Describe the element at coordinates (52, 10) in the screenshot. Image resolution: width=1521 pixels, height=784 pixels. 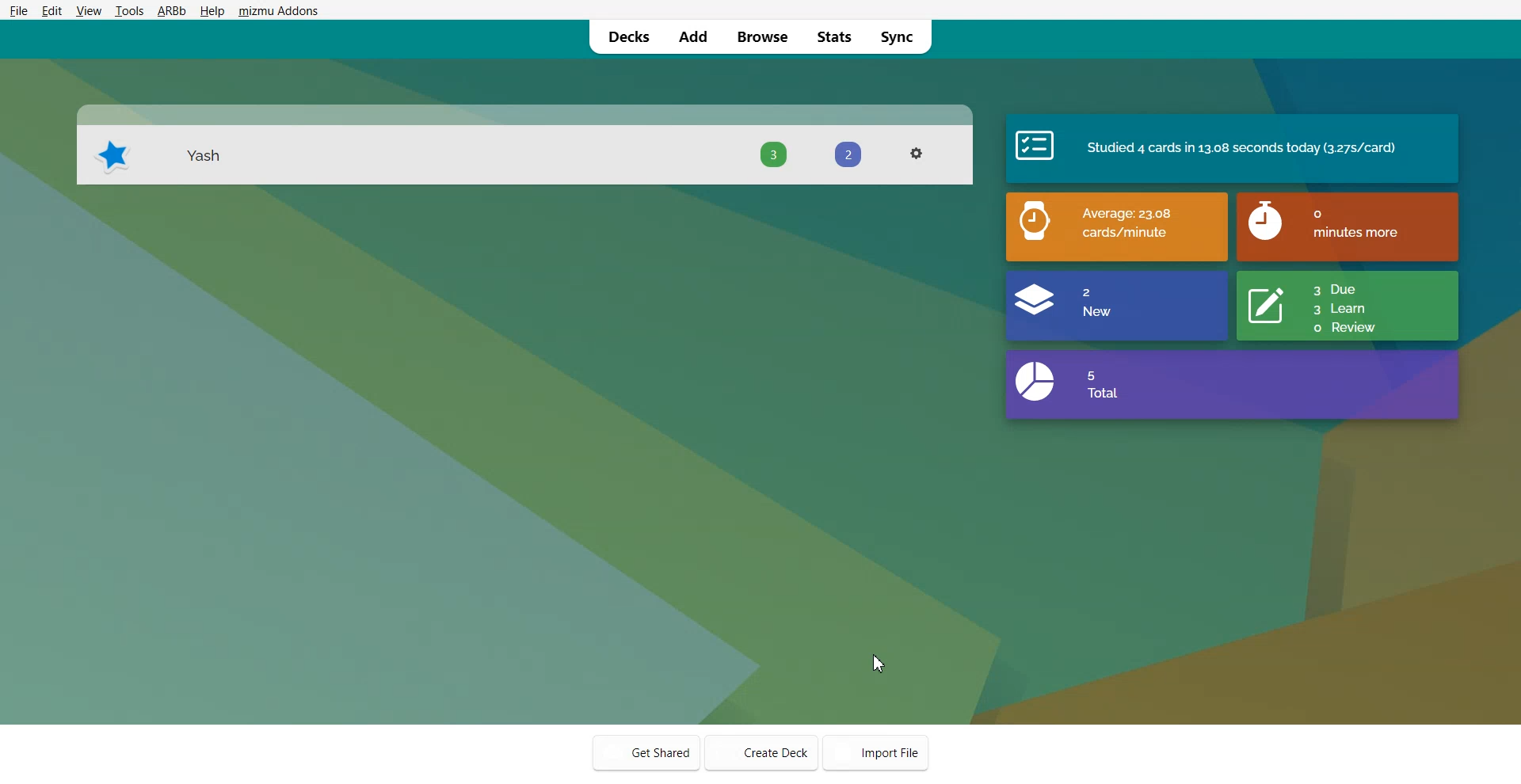
I see `Edit` at that location.